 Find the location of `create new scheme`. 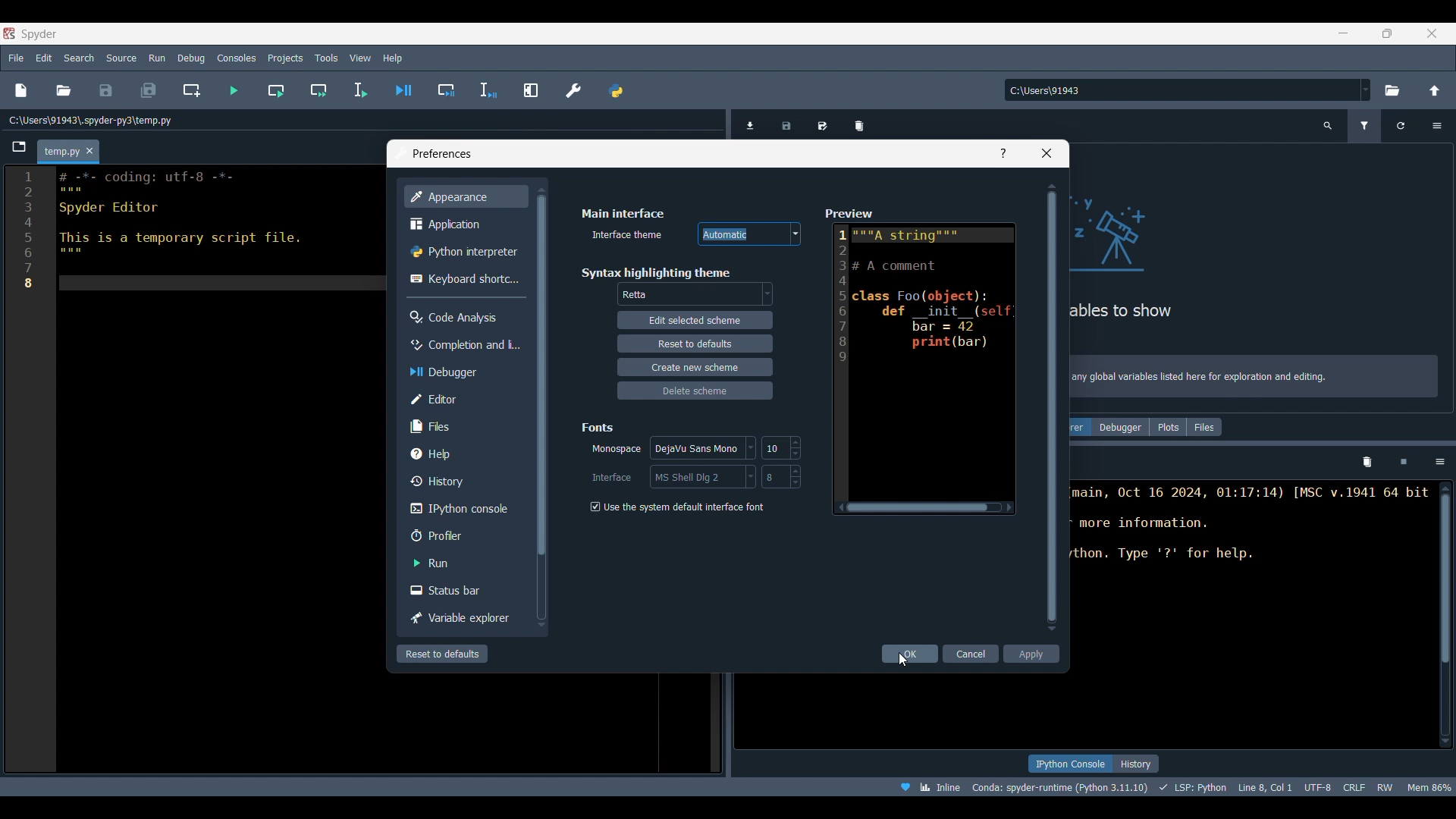

create new scheme is located at coordinates (694, 366).